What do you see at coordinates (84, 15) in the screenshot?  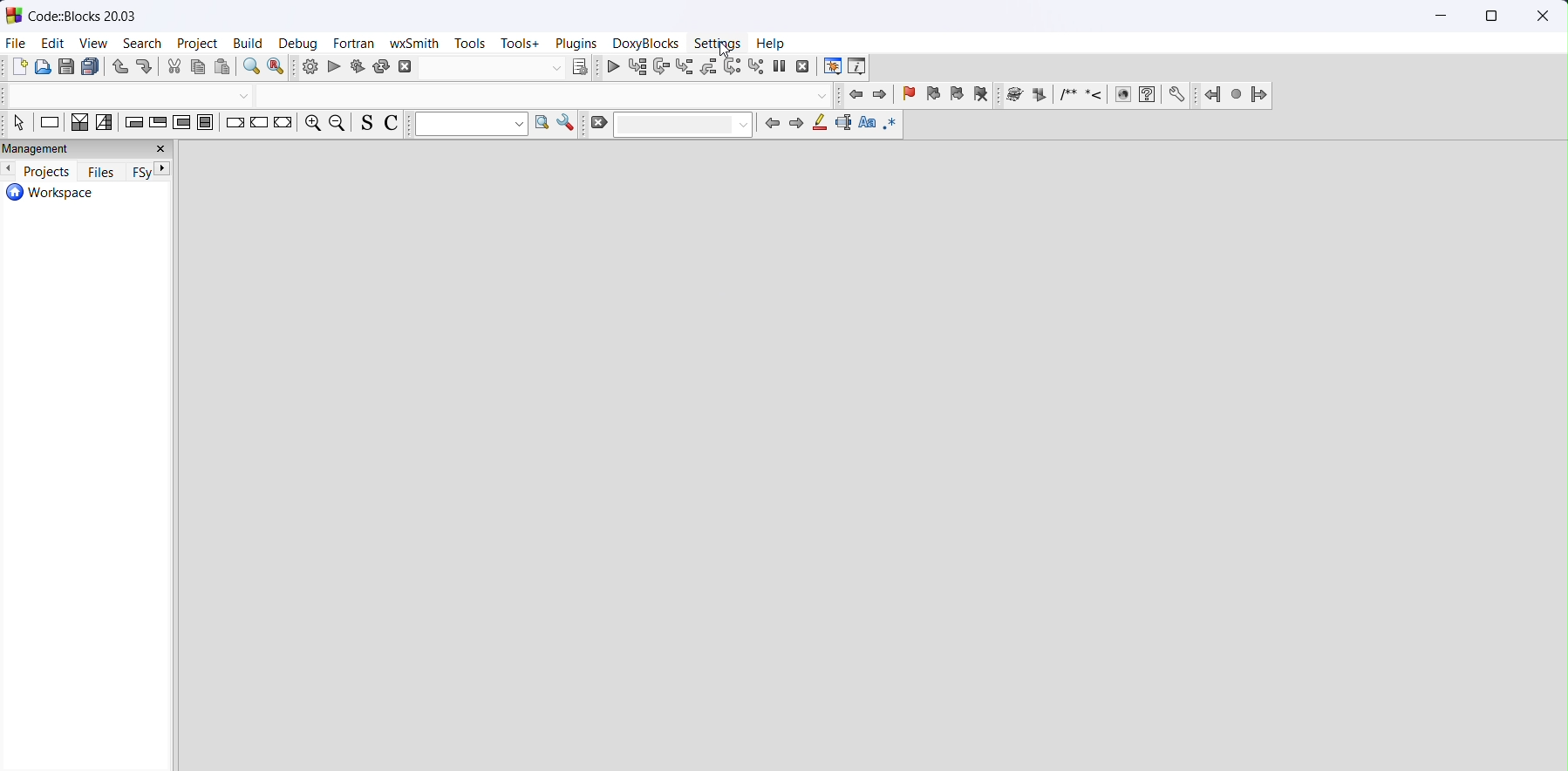 I see `title` at bounding box center [84, 15].